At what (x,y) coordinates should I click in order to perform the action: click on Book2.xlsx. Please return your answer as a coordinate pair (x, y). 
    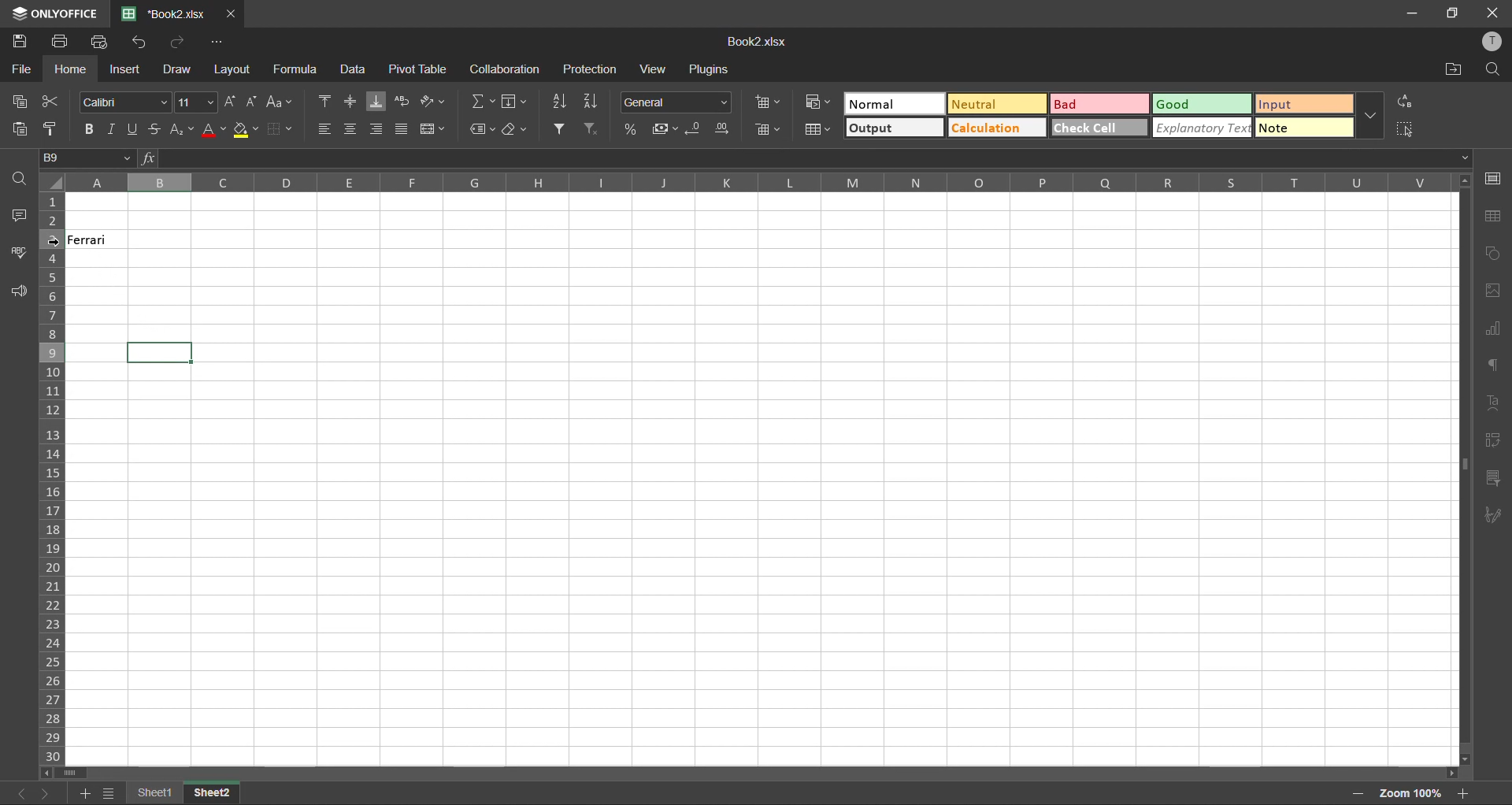
    Looking at the image, I should click on (764, 42).